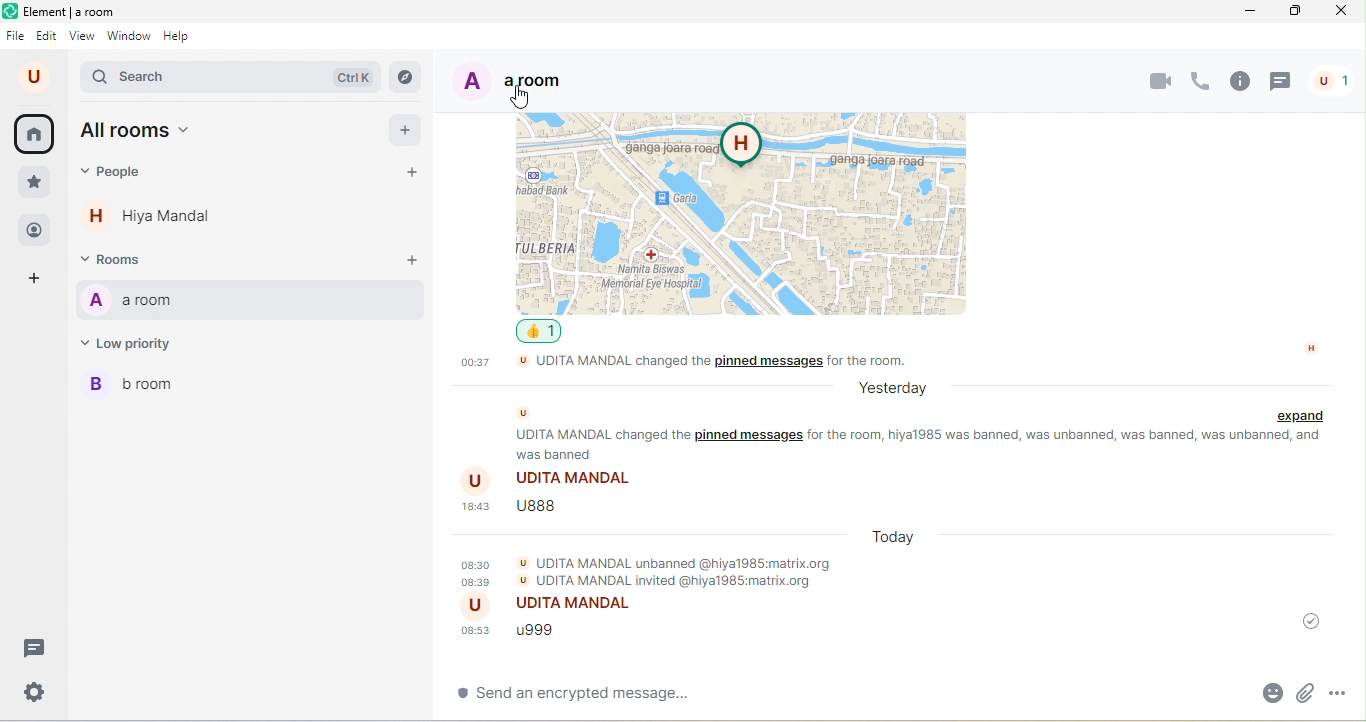 The width and height of the screenshot is (1366, 722). Describe the element at coordinates (33, 77) in the screenshot. I see `u` at that location.